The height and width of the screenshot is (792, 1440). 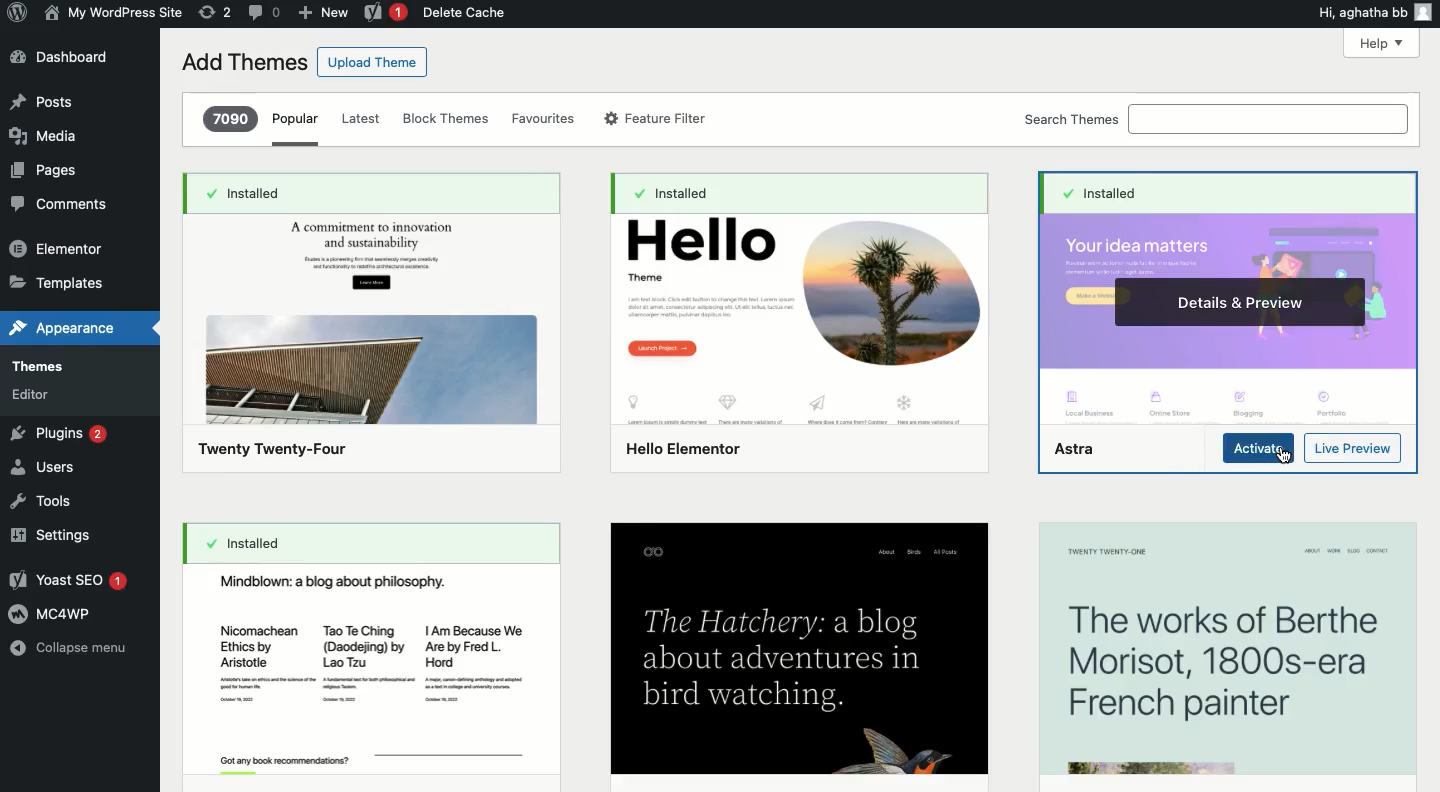 I want to click on Favorites, so click(x=541, y=119).